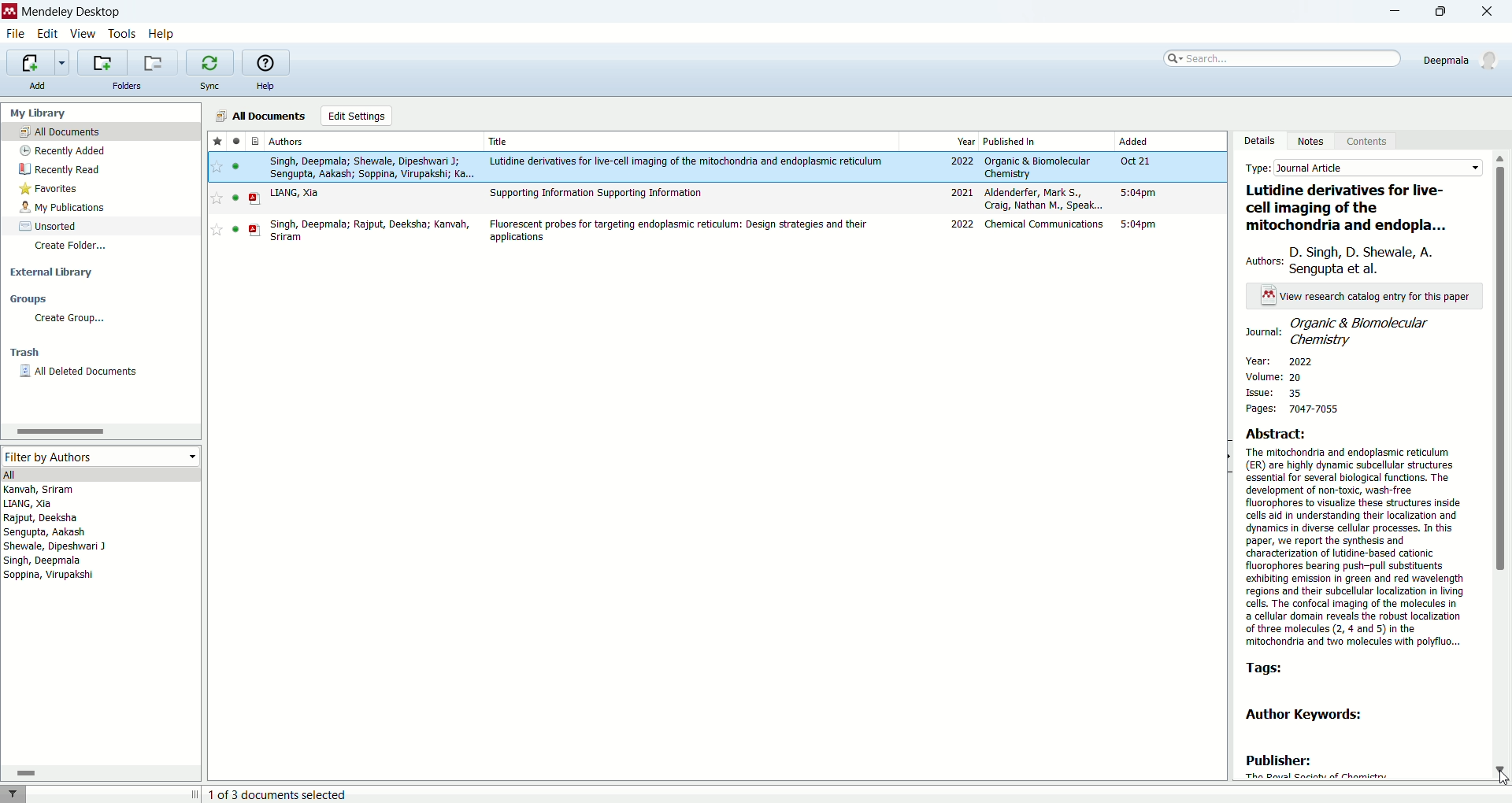 The width and height of the screenshot is (1512, 803). What do you see at coordinates (36, 113) in the screenshot?
I see `my library` at bounding box center [36, 113].